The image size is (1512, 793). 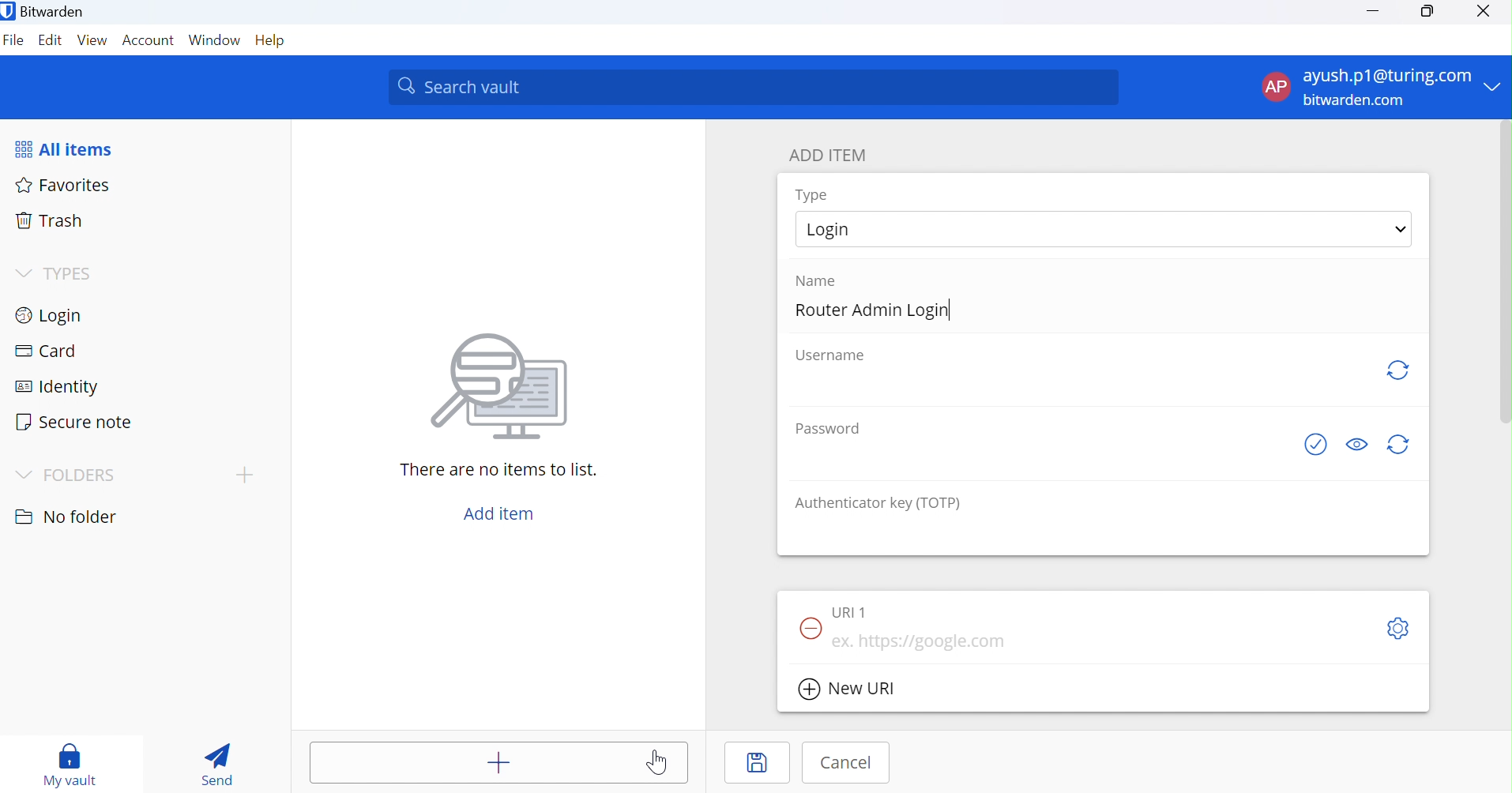 What do you see at coordinates (850, 613) in the screenshot?
I see `URI 1` at bounding box center [850, 613].